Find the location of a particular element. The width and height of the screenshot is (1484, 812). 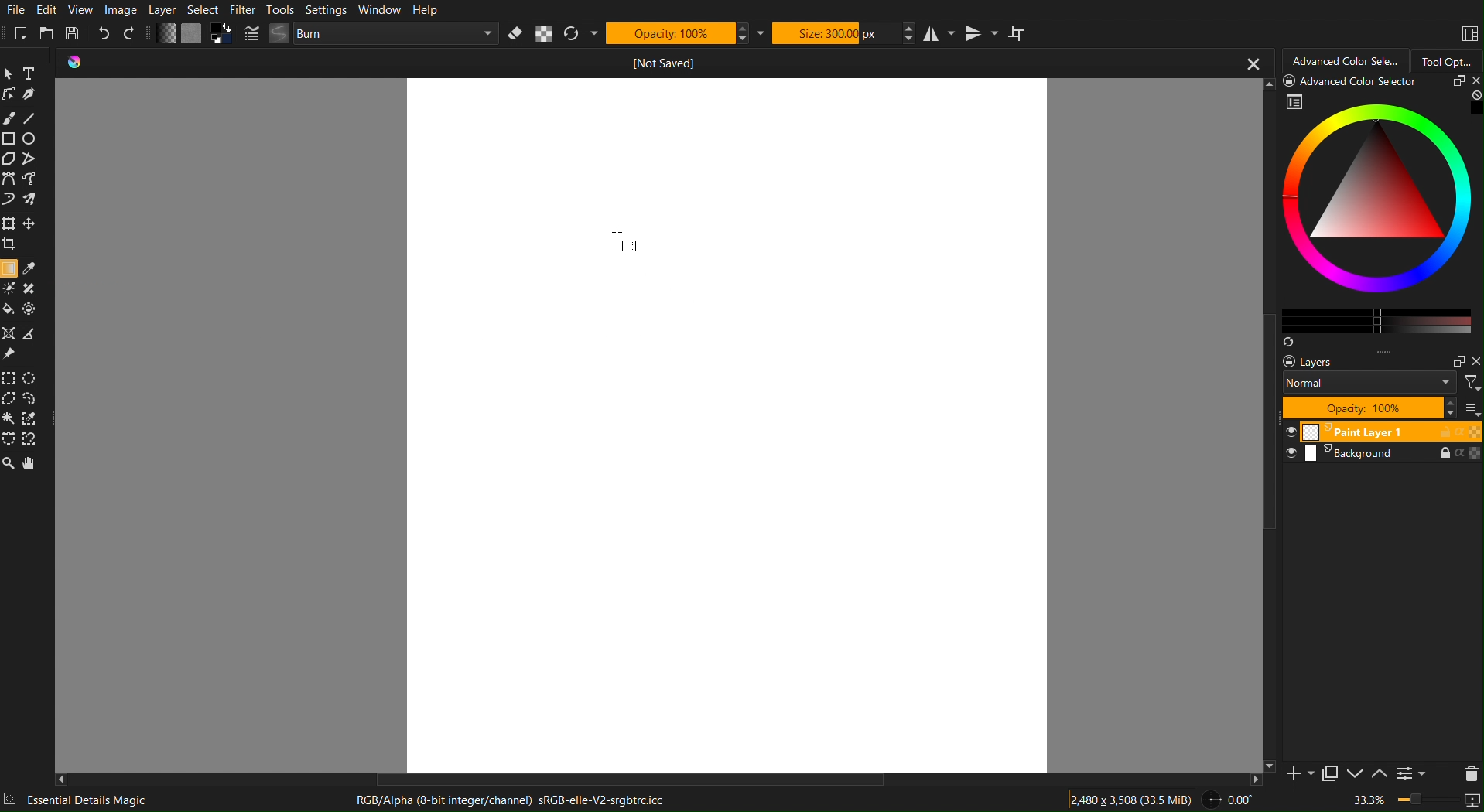

Alpha is located at coordinates (544, 33).